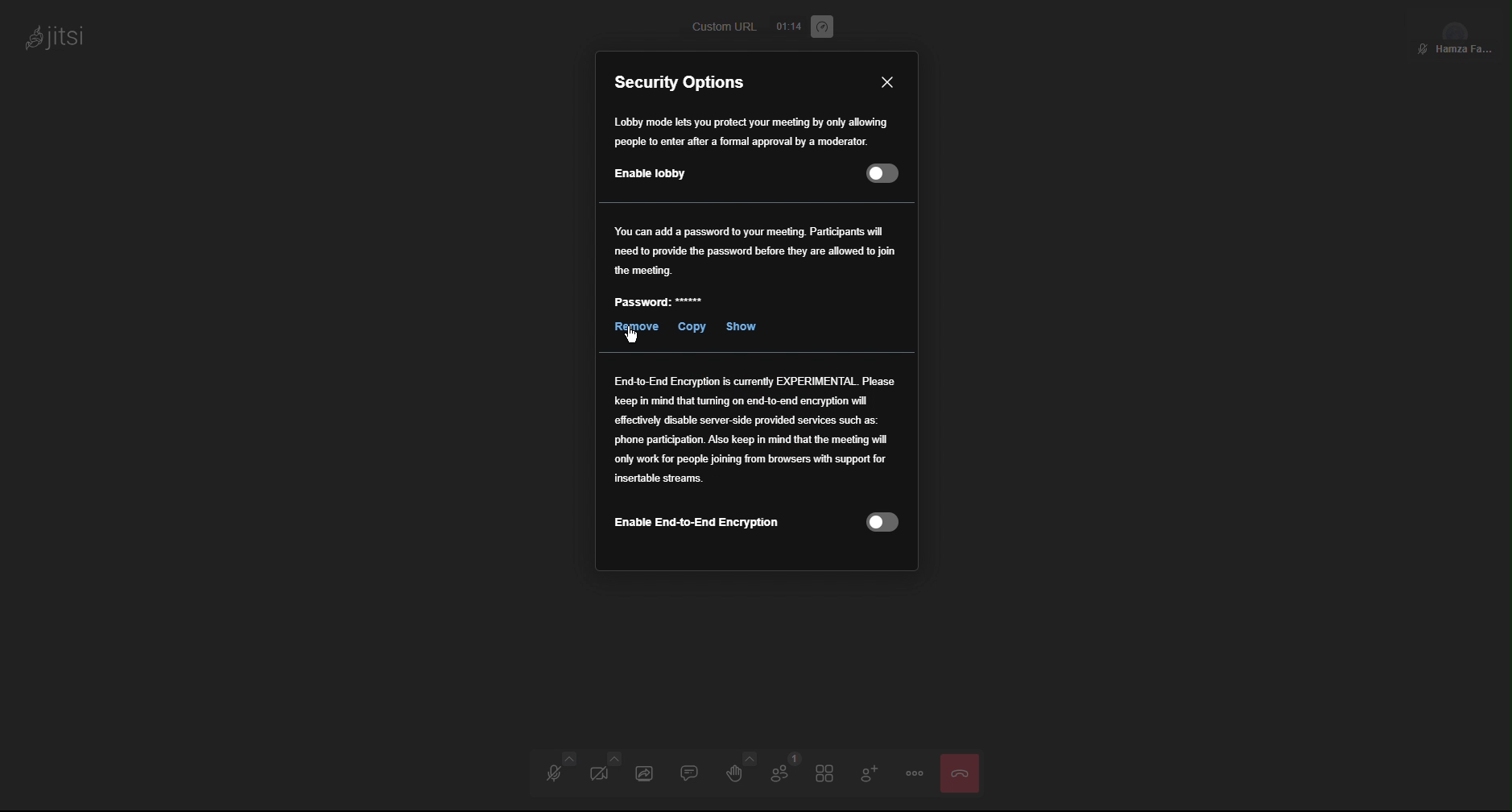  What do you see at coordinates (725, 28) in the screenshot?
I see `Custom URL` at bounding box center [725, 28].